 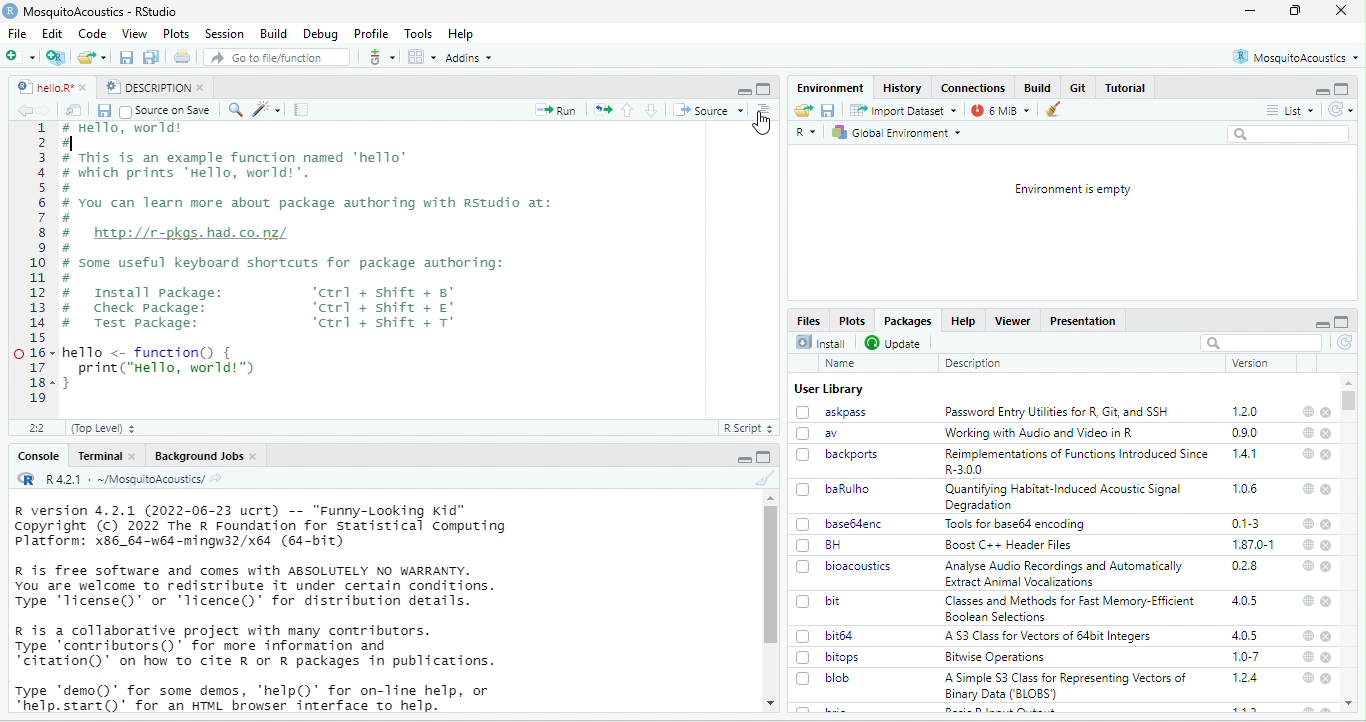 I want to click on forward, so click(x=47, y=110).